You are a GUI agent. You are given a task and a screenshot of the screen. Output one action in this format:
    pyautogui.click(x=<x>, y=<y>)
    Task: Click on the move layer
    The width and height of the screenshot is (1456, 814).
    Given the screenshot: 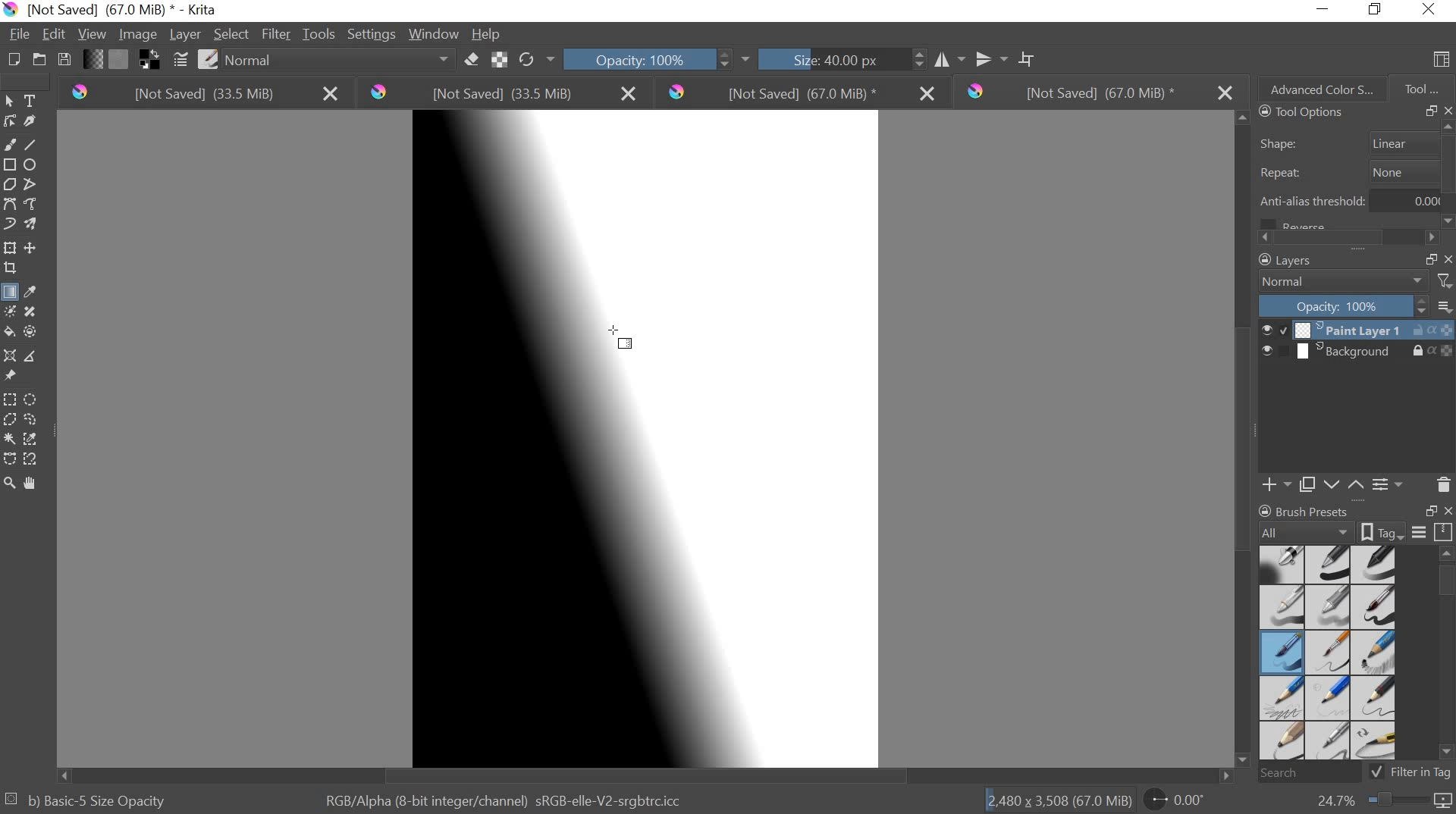 What is the action you would take?
    pyautogui.click(x=33, y=249)
    